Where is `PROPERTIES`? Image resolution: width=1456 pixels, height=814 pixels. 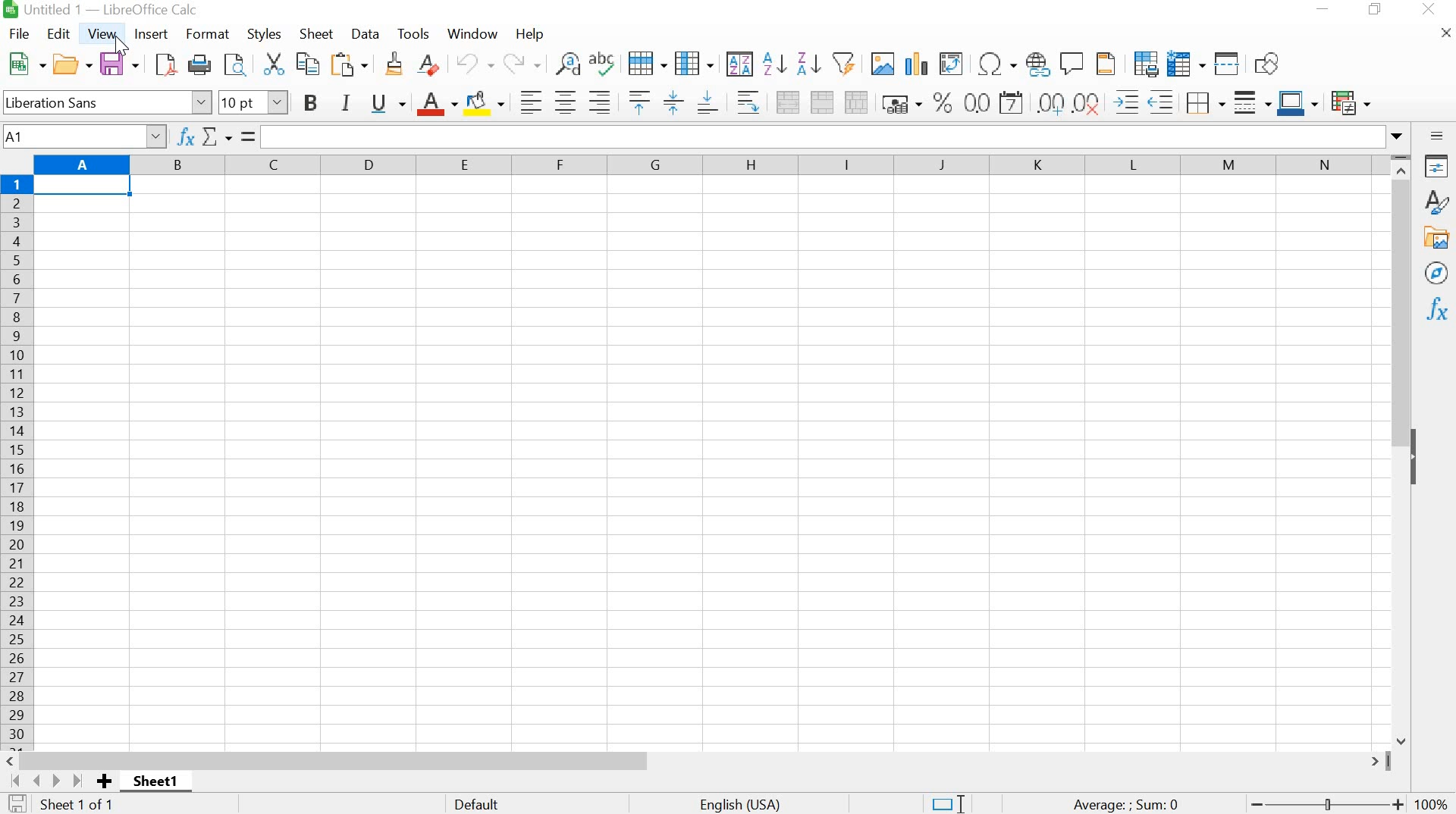
PROPERTIES is located at coordinates (1437, 166).